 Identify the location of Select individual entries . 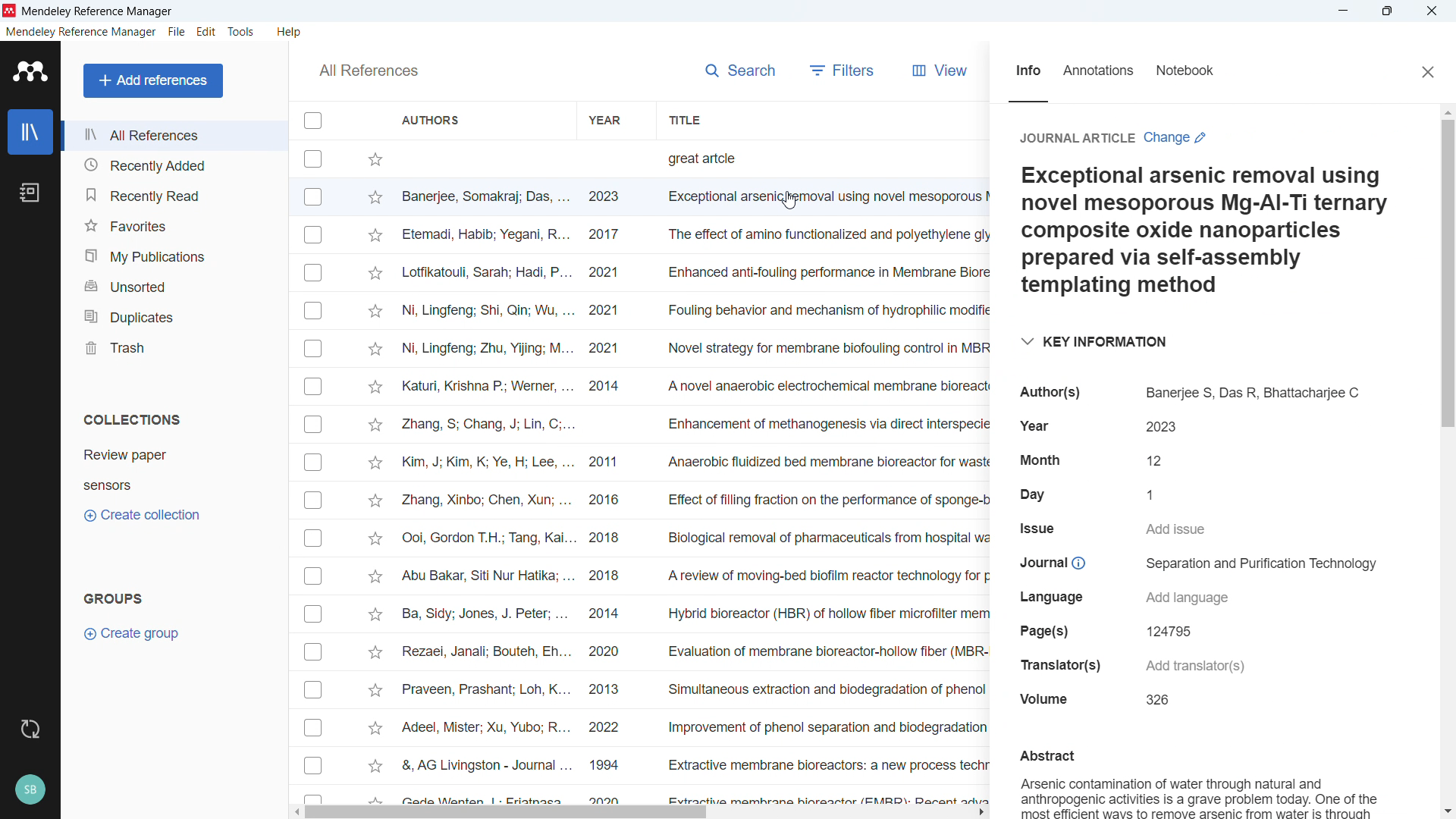
(312, 472).